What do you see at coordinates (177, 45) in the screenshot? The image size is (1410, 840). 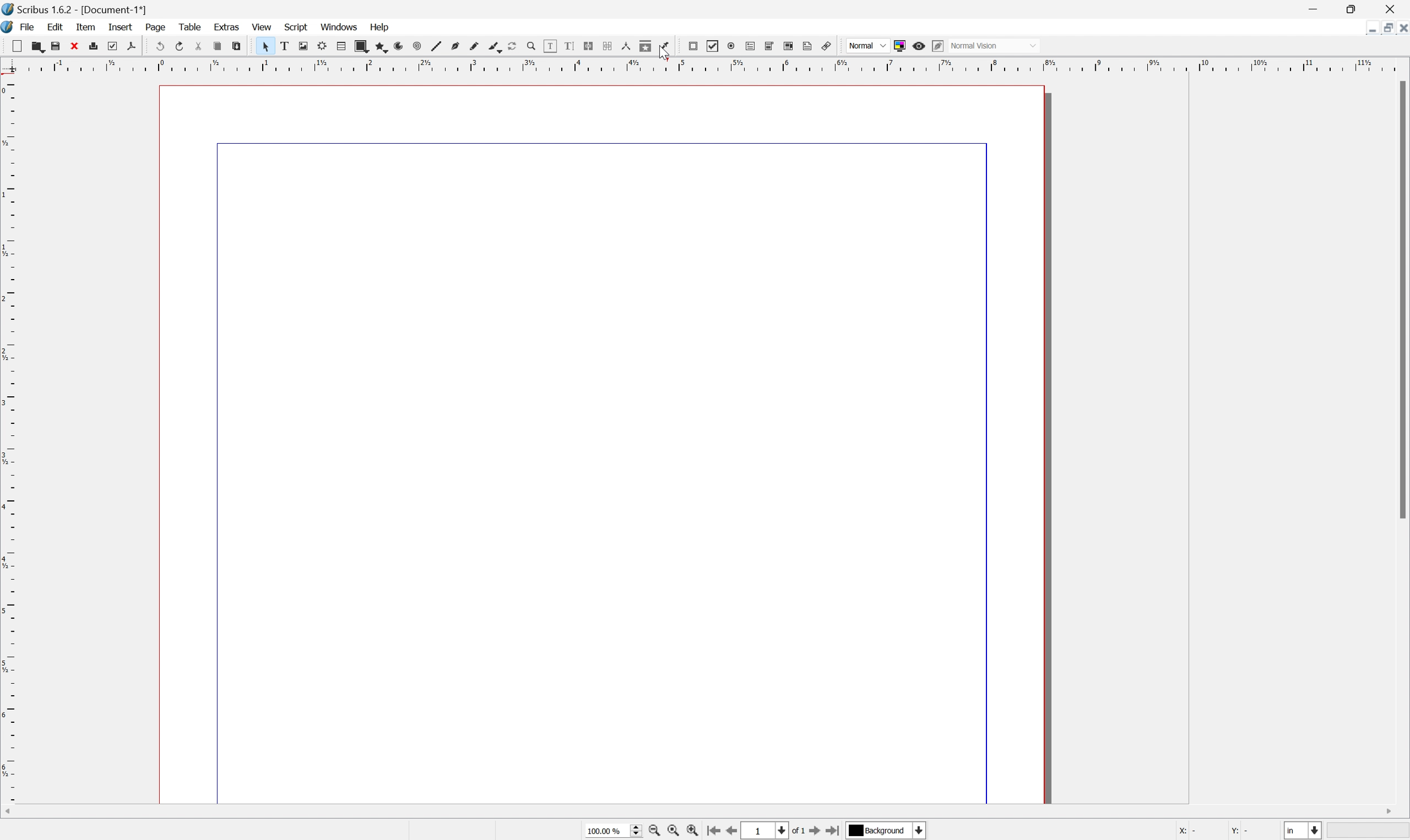 I see `redo` at bounding box center [177, 45].